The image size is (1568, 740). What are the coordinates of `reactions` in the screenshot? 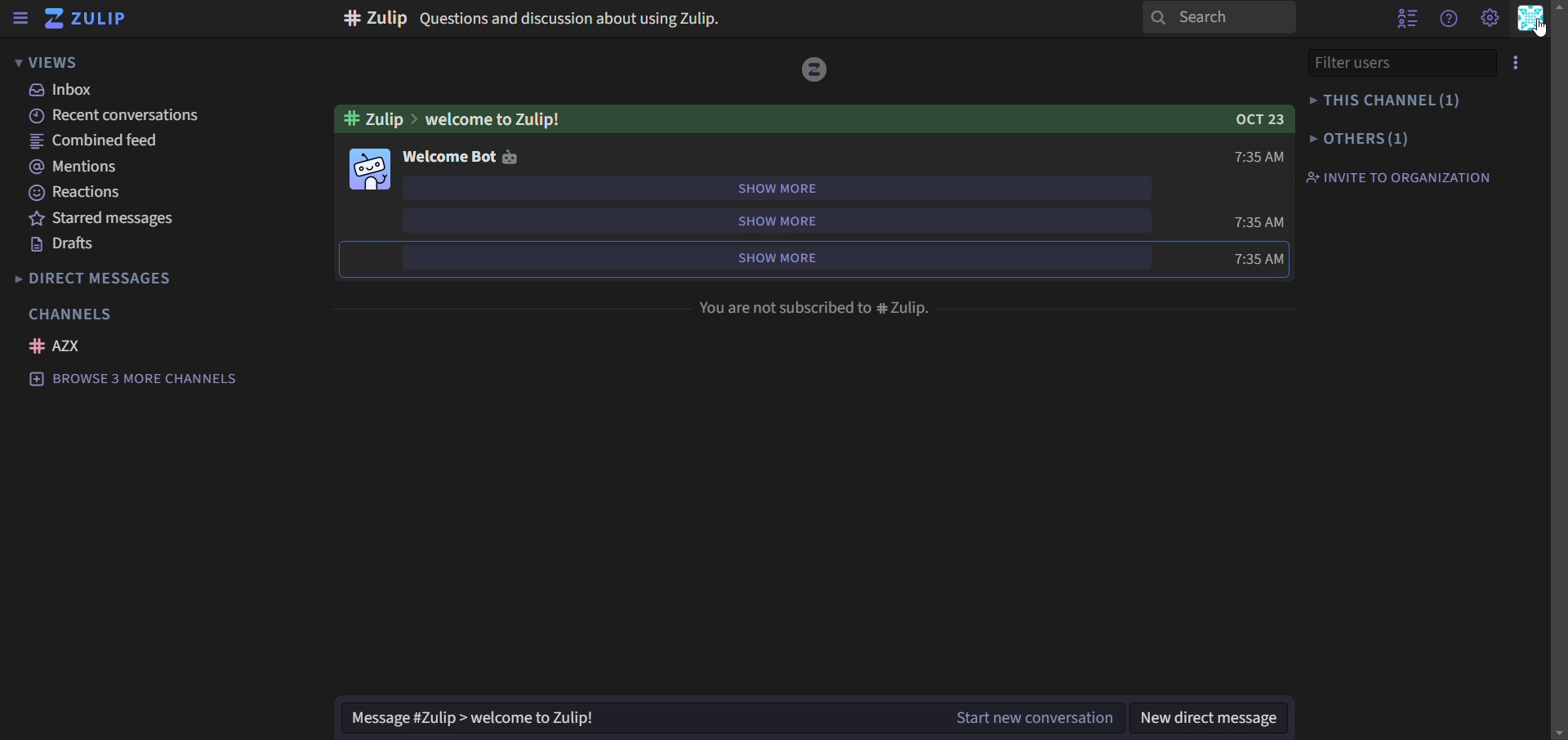 It's located at (78, 194).